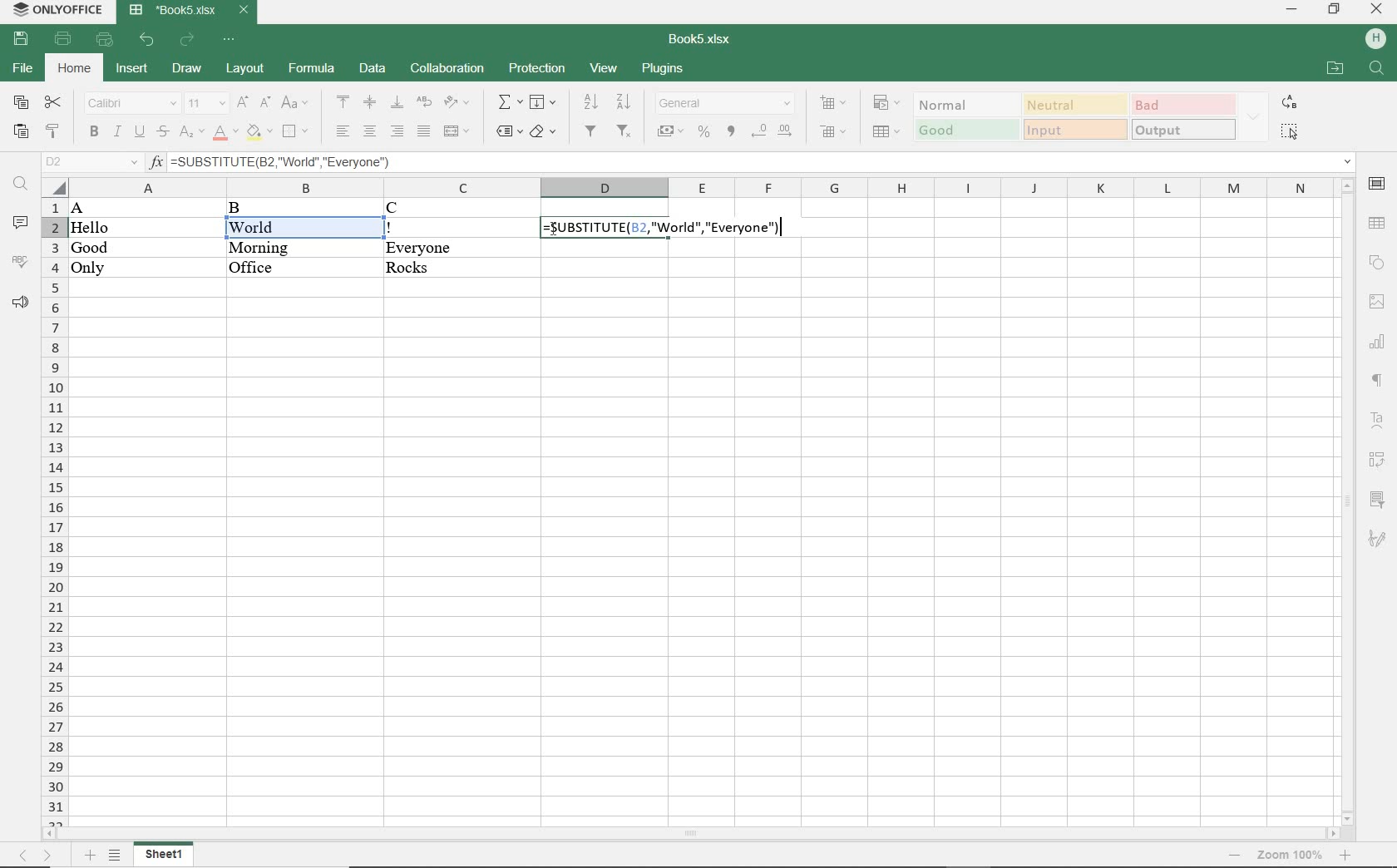  Describe the element at coordinates (264, 105) in the screenshot. I see `decrement font size` at that location.